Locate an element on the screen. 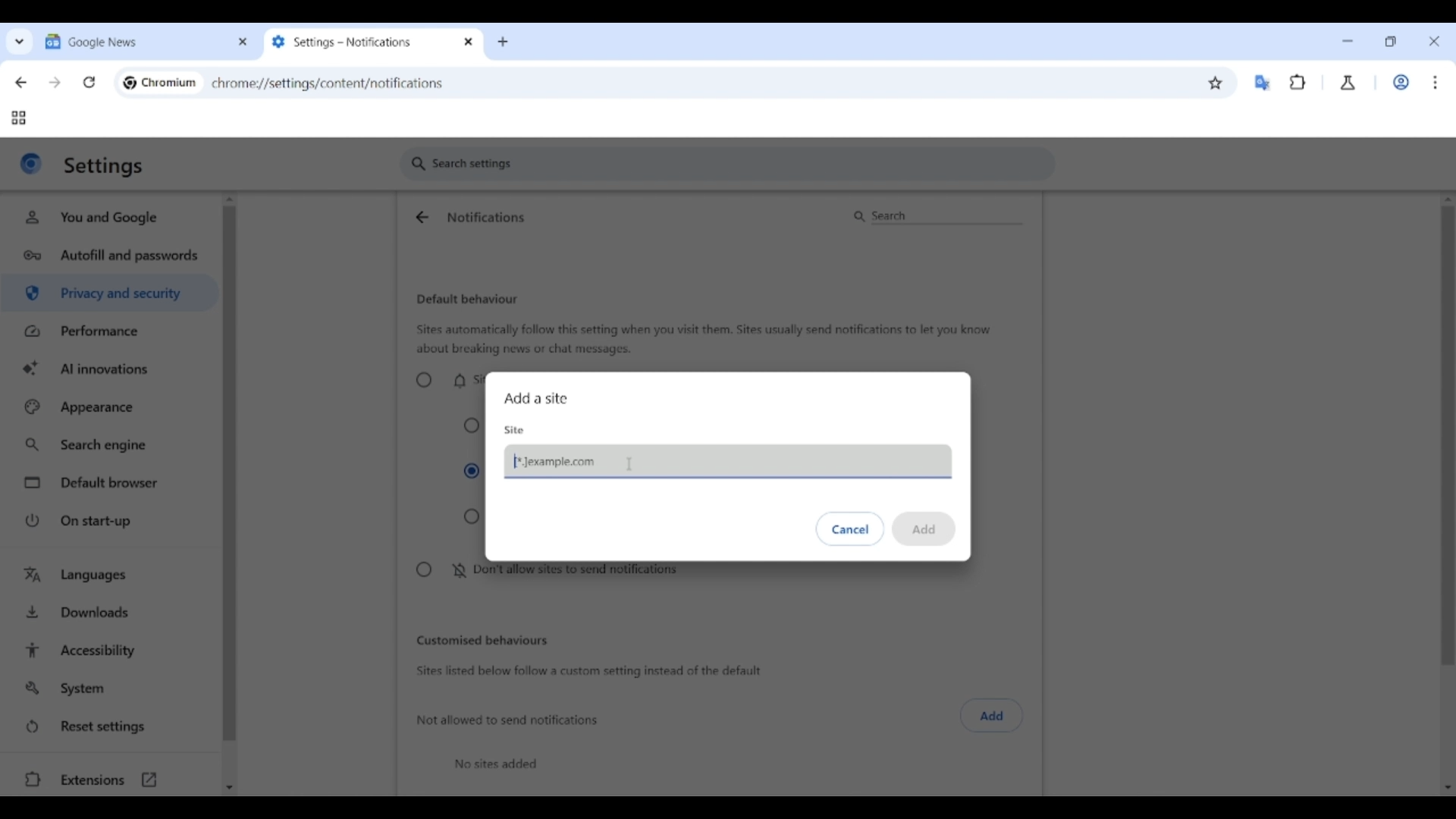 This screenshot has width=1456, height=819. Performance  is located at coordinates (109, 331).